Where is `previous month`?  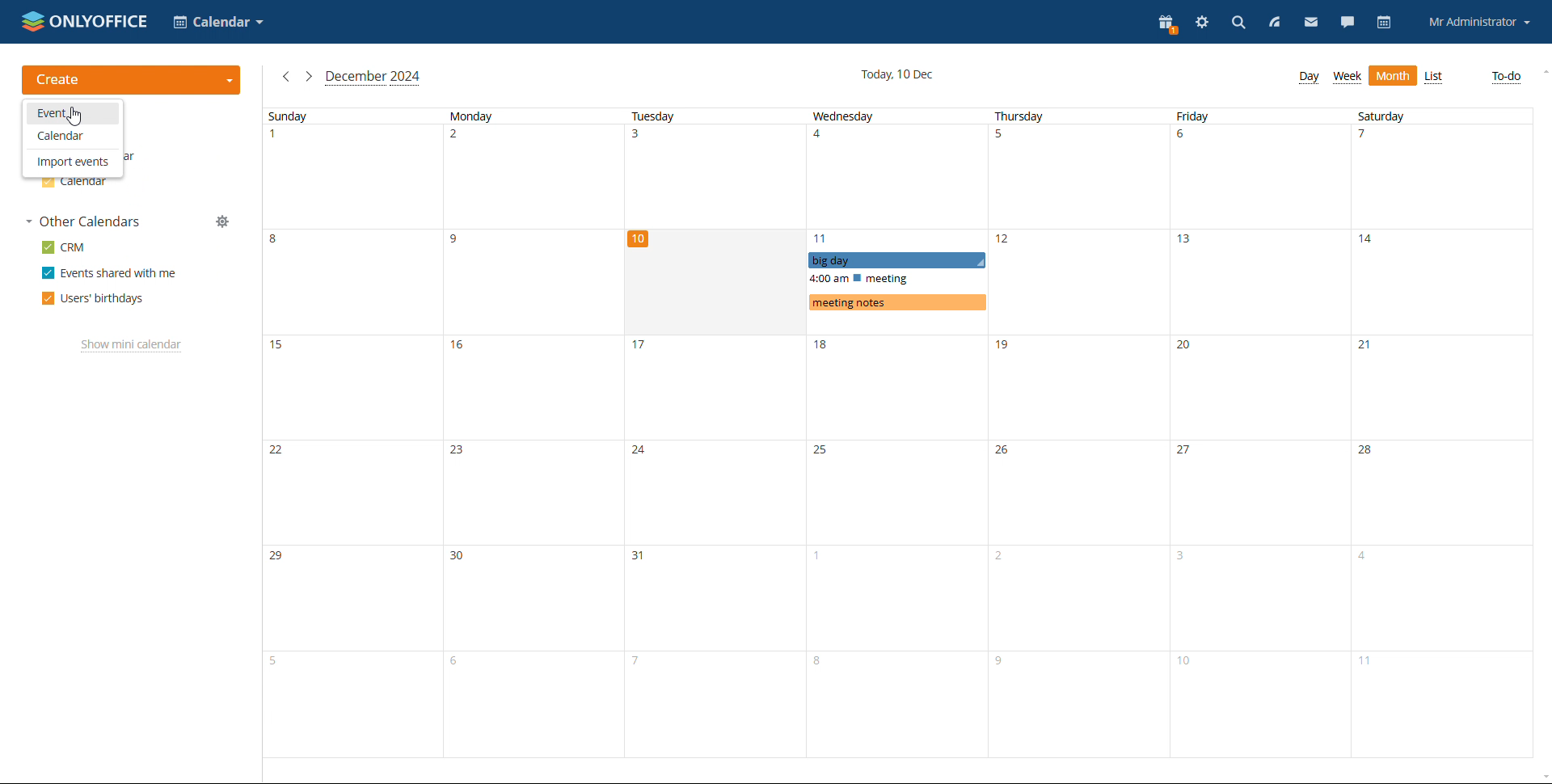 previous month is located at coordinates (286, 77).